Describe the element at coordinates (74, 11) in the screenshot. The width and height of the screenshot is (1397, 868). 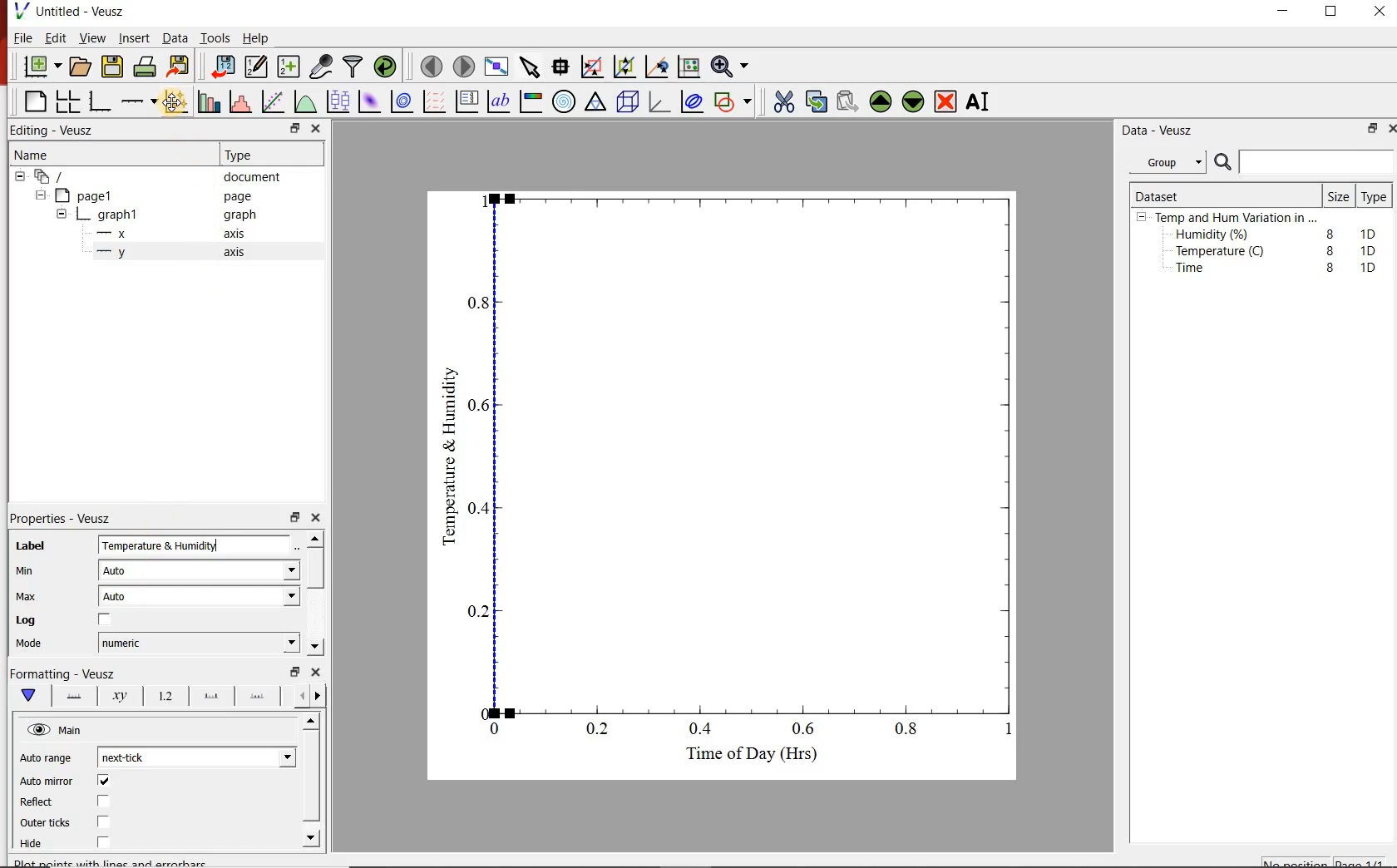
I see `Untitled - Veusz` at that location.